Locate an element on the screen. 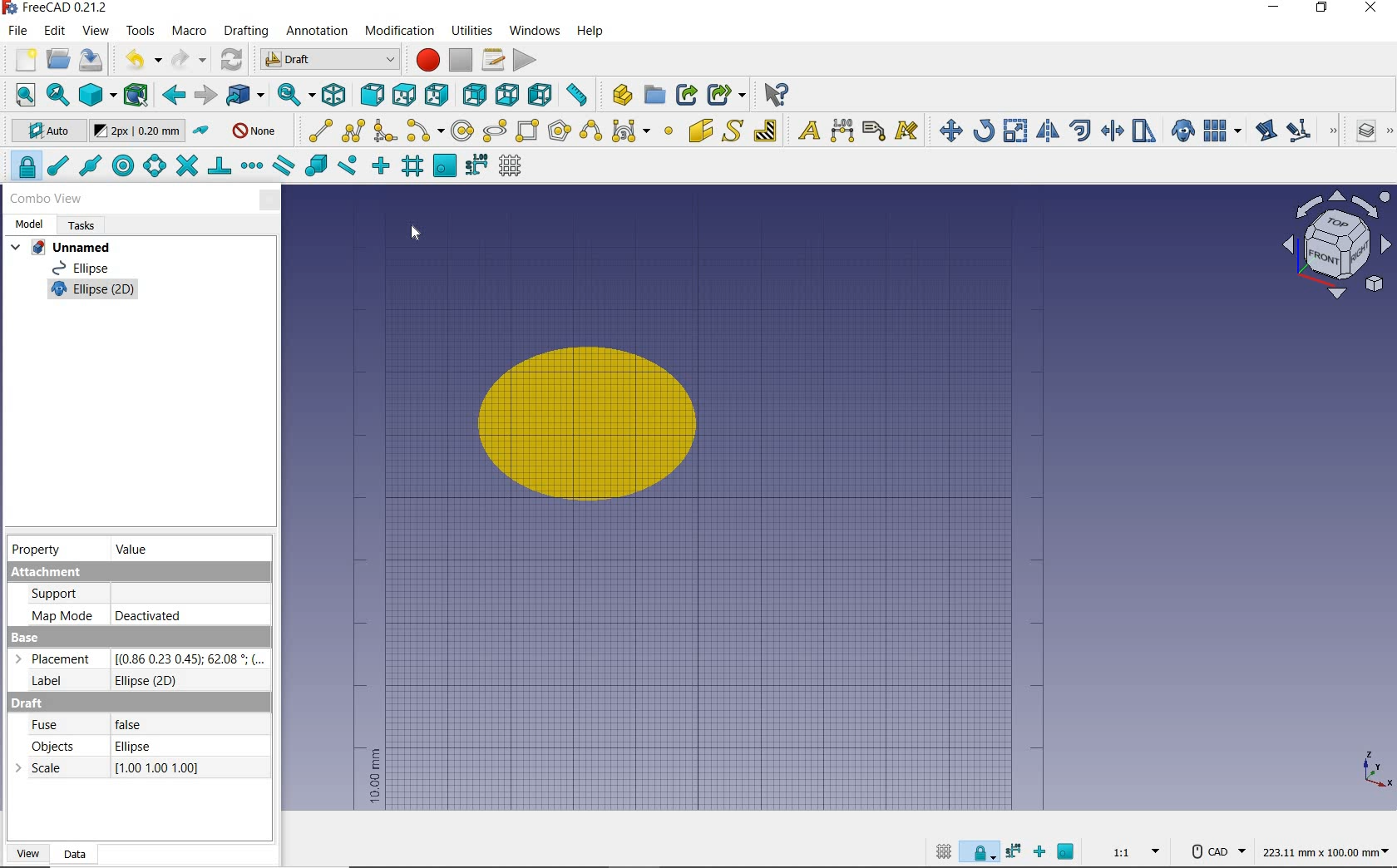 The width and height of the screenshot is (1397, 868). view options is located at coordinates (1336, 244).